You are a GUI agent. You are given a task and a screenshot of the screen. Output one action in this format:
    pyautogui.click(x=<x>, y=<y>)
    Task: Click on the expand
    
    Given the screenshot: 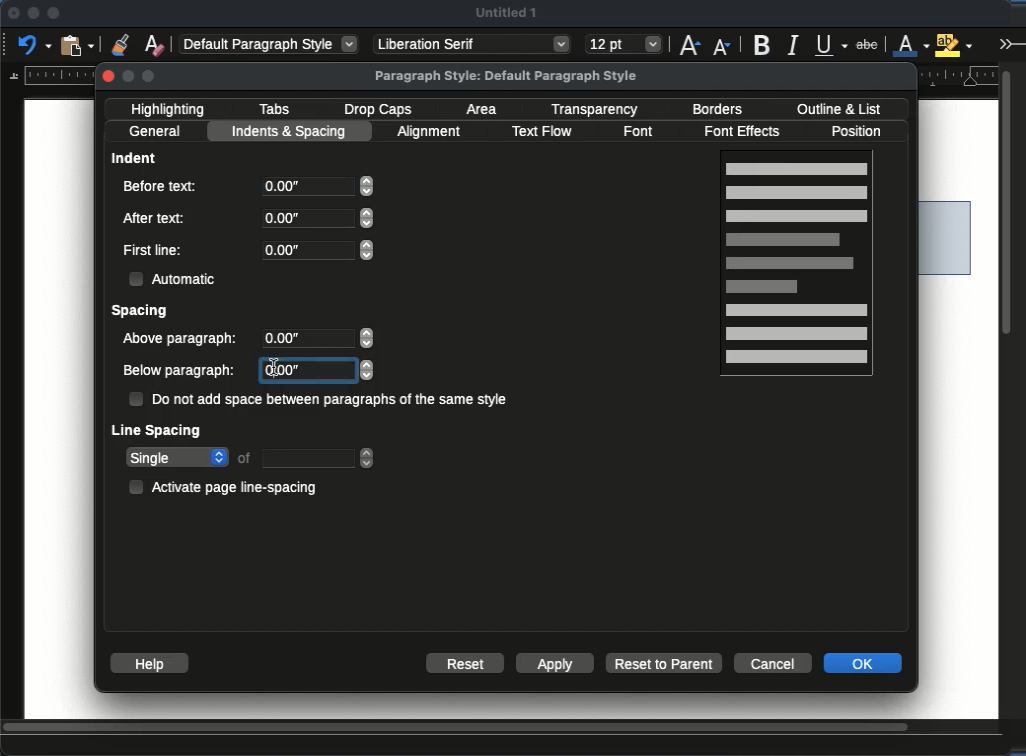 What is the action you would take?
    pyautogui.click(x=1009, y=43)
    